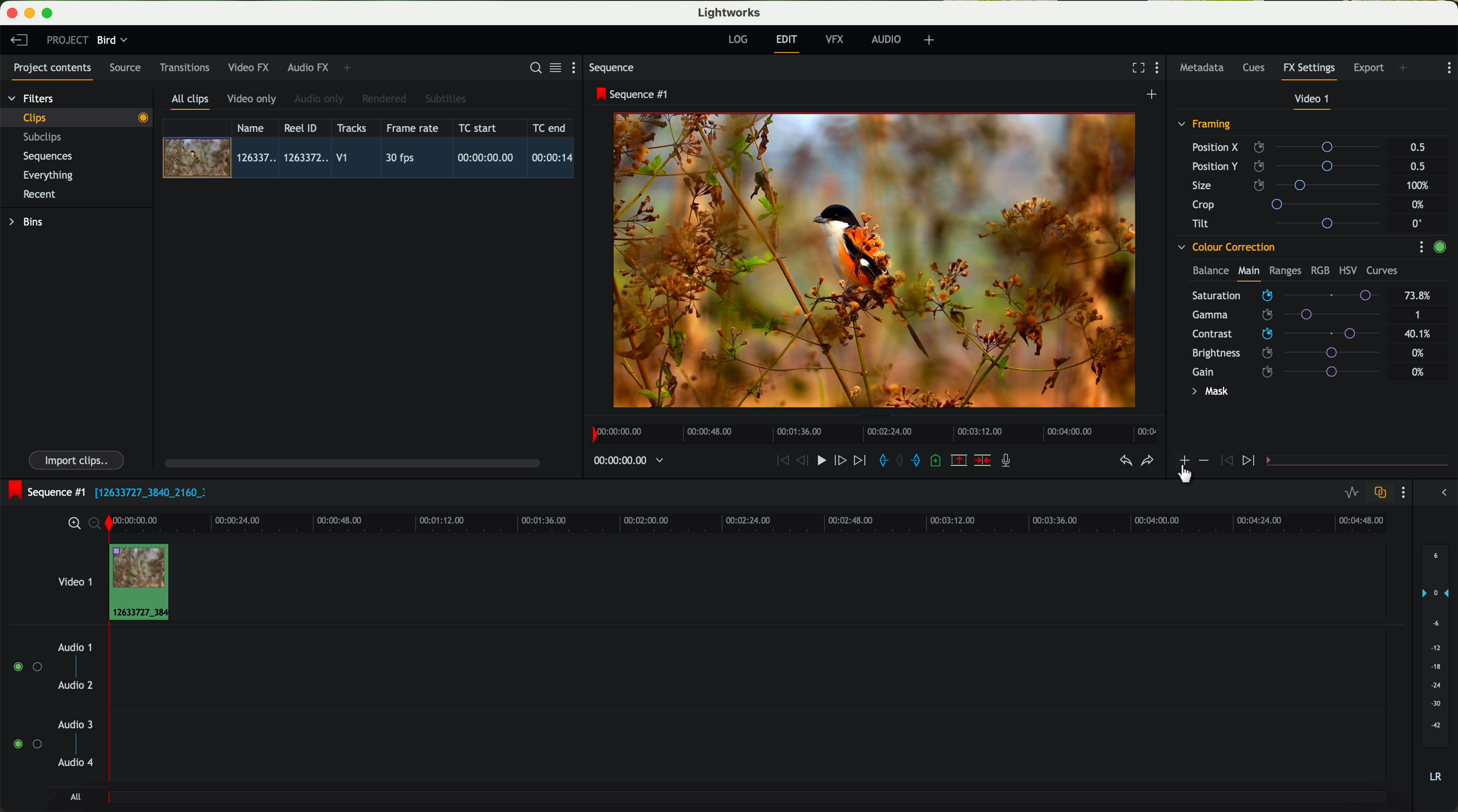 The image size is (1458, 812). Describe the element at coordinates (1183, 462) in the screenshot. I see `icon` at that location.